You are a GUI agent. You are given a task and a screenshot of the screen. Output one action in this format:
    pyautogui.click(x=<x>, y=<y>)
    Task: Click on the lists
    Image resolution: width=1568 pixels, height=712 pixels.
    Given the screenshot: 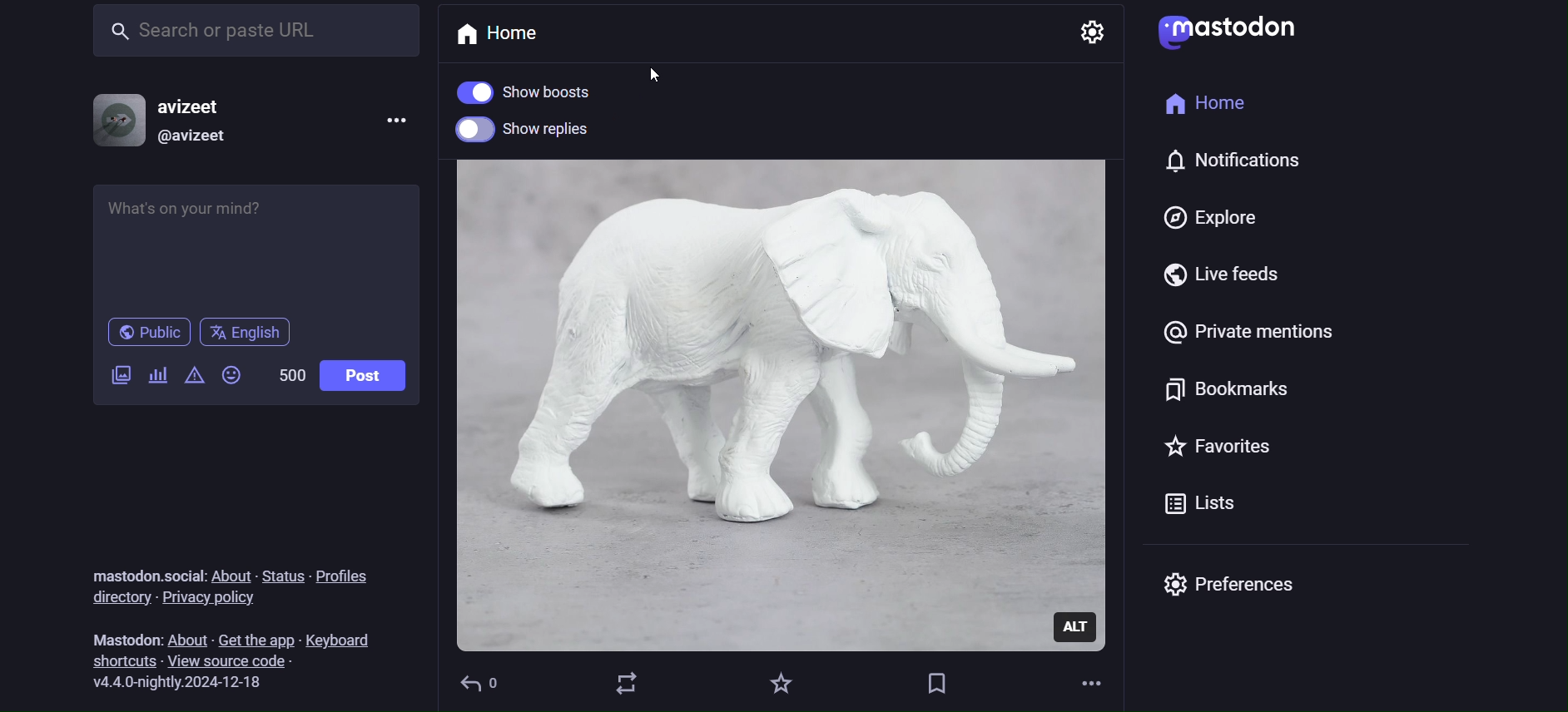 What is the action you would take?
    pyautogui.click(x=1197, y=507)
    